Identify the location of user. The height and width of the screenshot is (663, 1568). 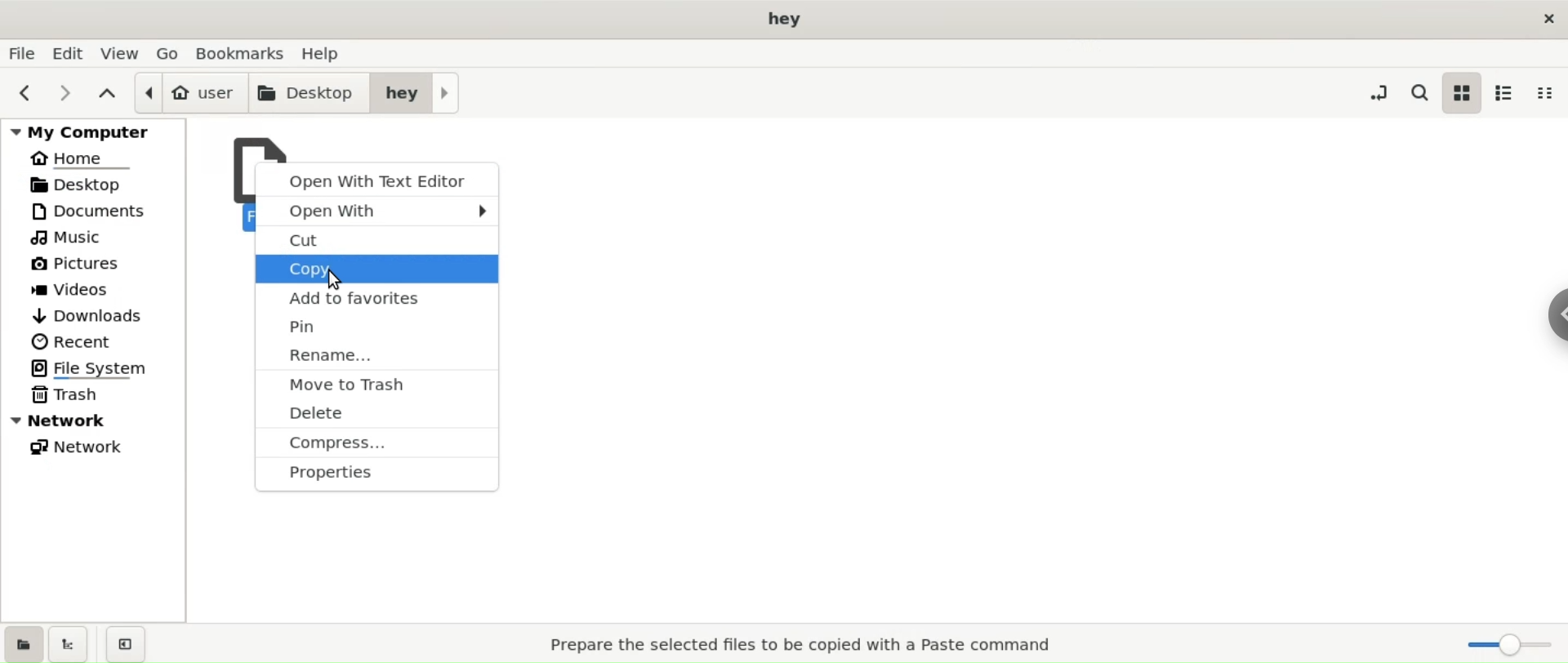
(189, 91).